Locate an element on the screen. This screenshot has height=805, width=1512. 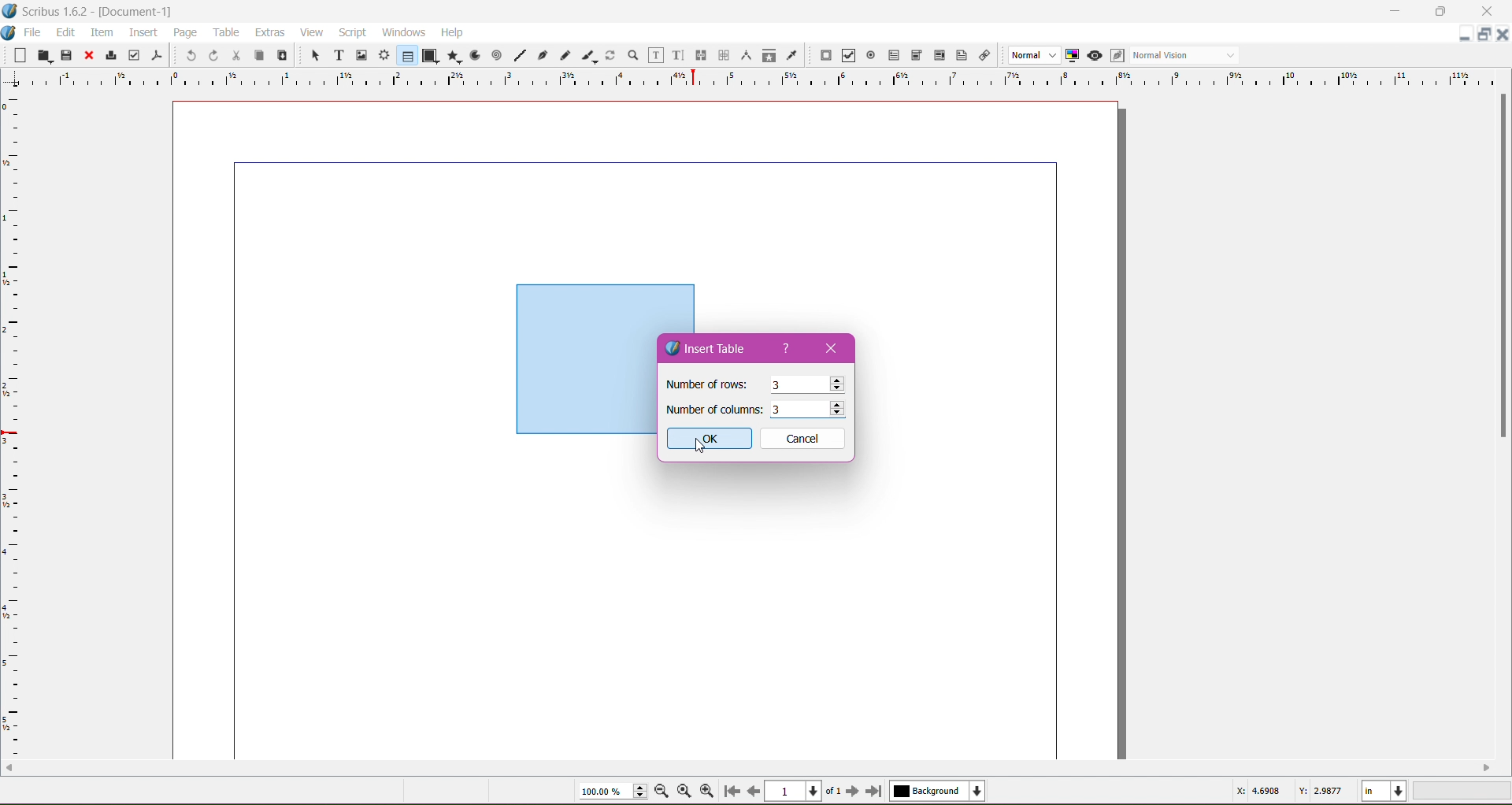
Normal   Vision is located at coordinates (1186, 54).